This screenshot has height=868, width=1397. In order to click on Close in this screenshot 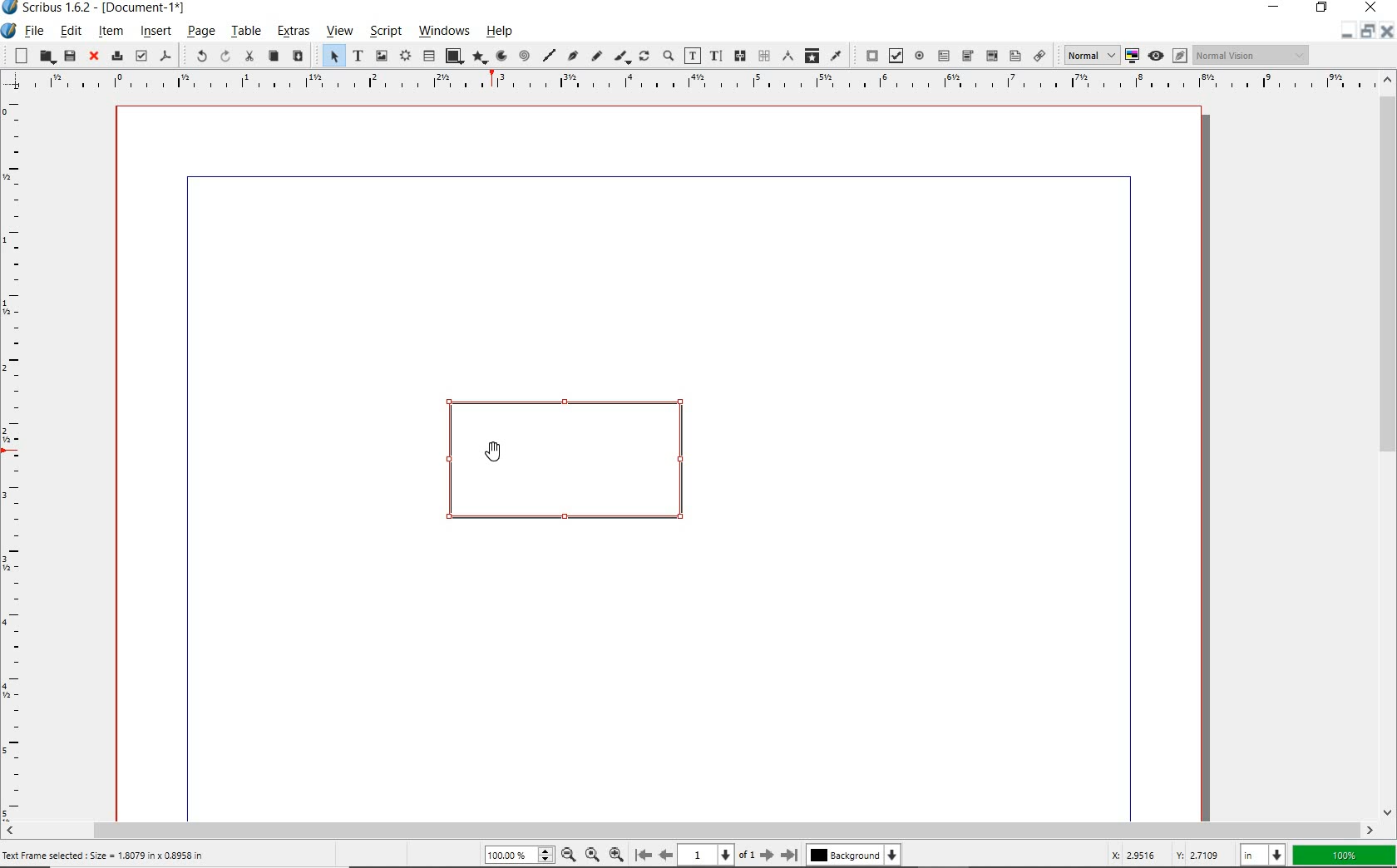, I will do `click(1386, 32)`.